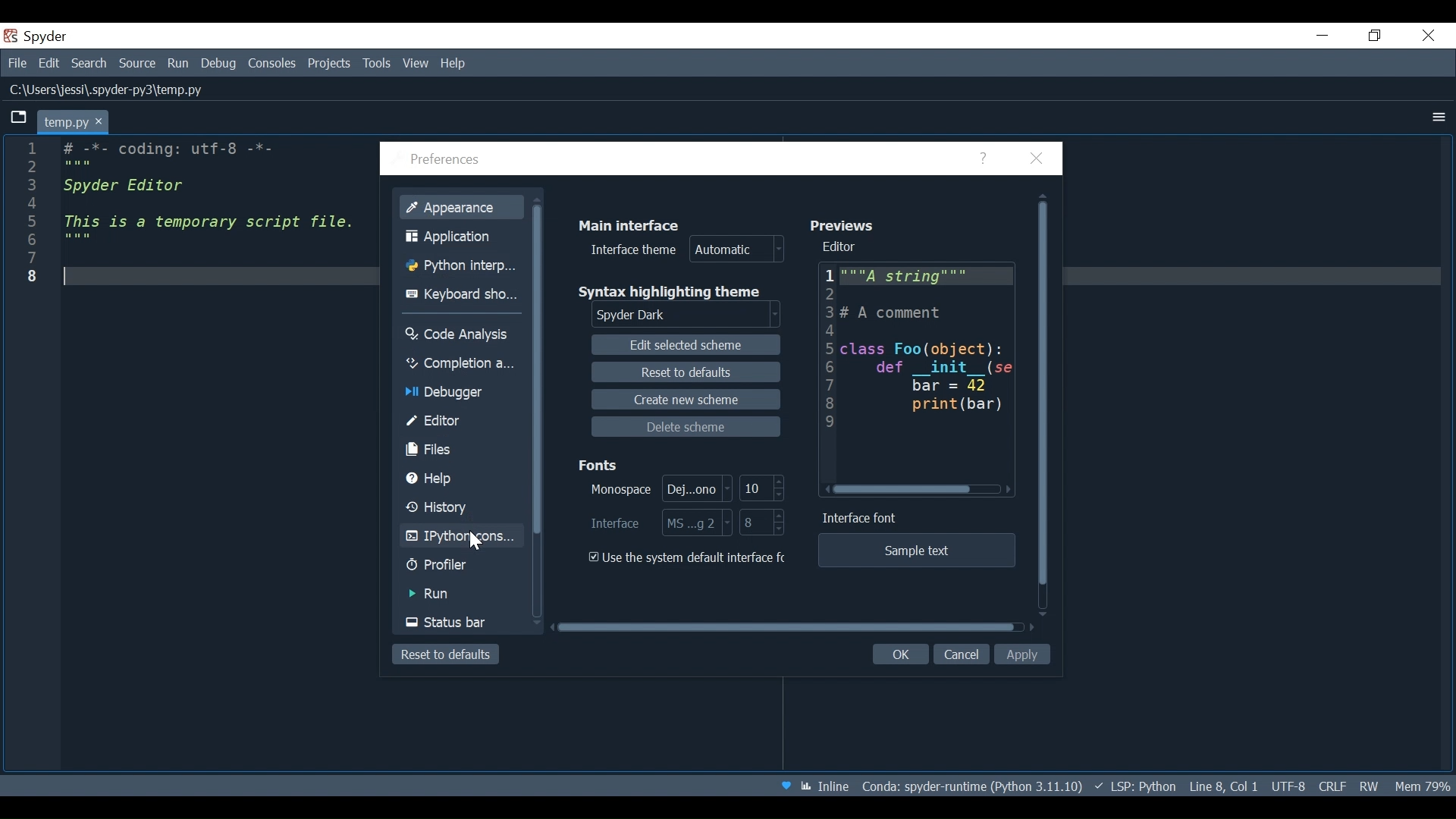 The width and height of the screenshot is (1456, 819). Describe the element at coordinates (457, 508) in the screenshot. I see `History` at that location.